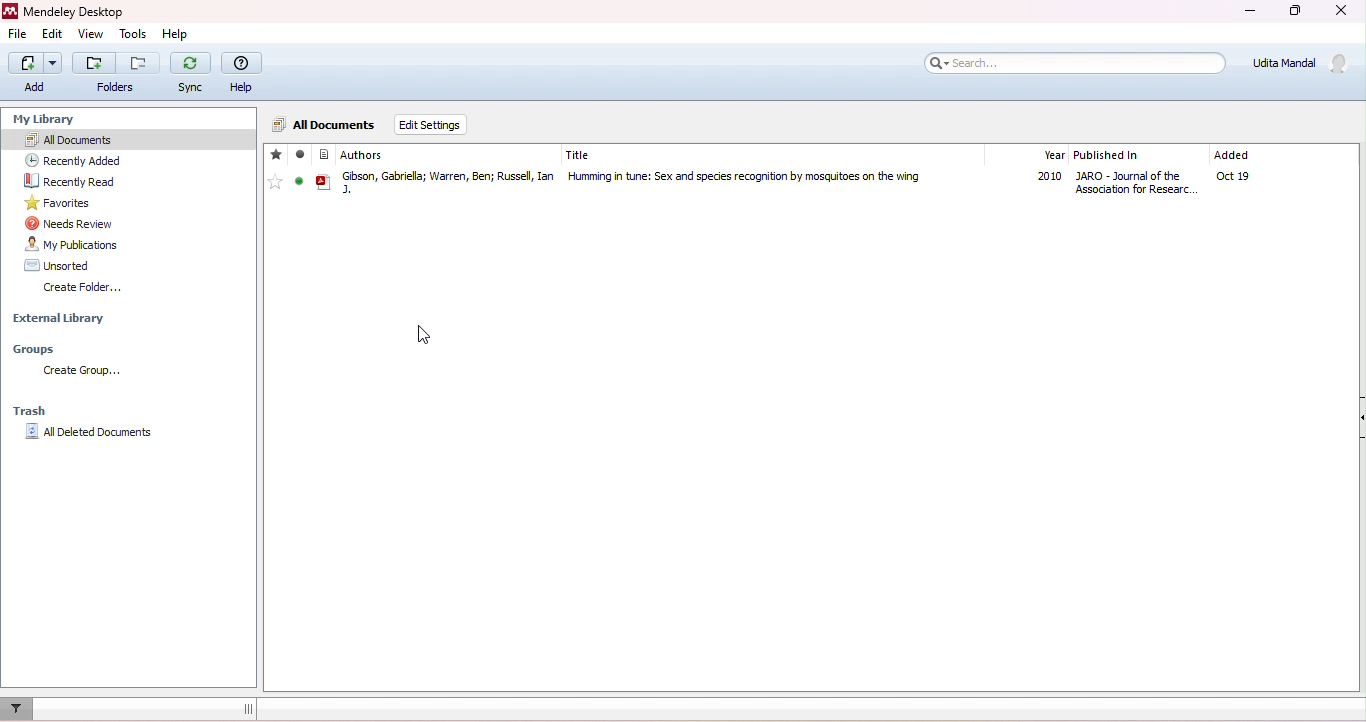 Image resolution: width=1366 pixels, height=722 pixels. Describe the element at coordinates (60, 203) in the screenshot. I see `favorites` at that location.